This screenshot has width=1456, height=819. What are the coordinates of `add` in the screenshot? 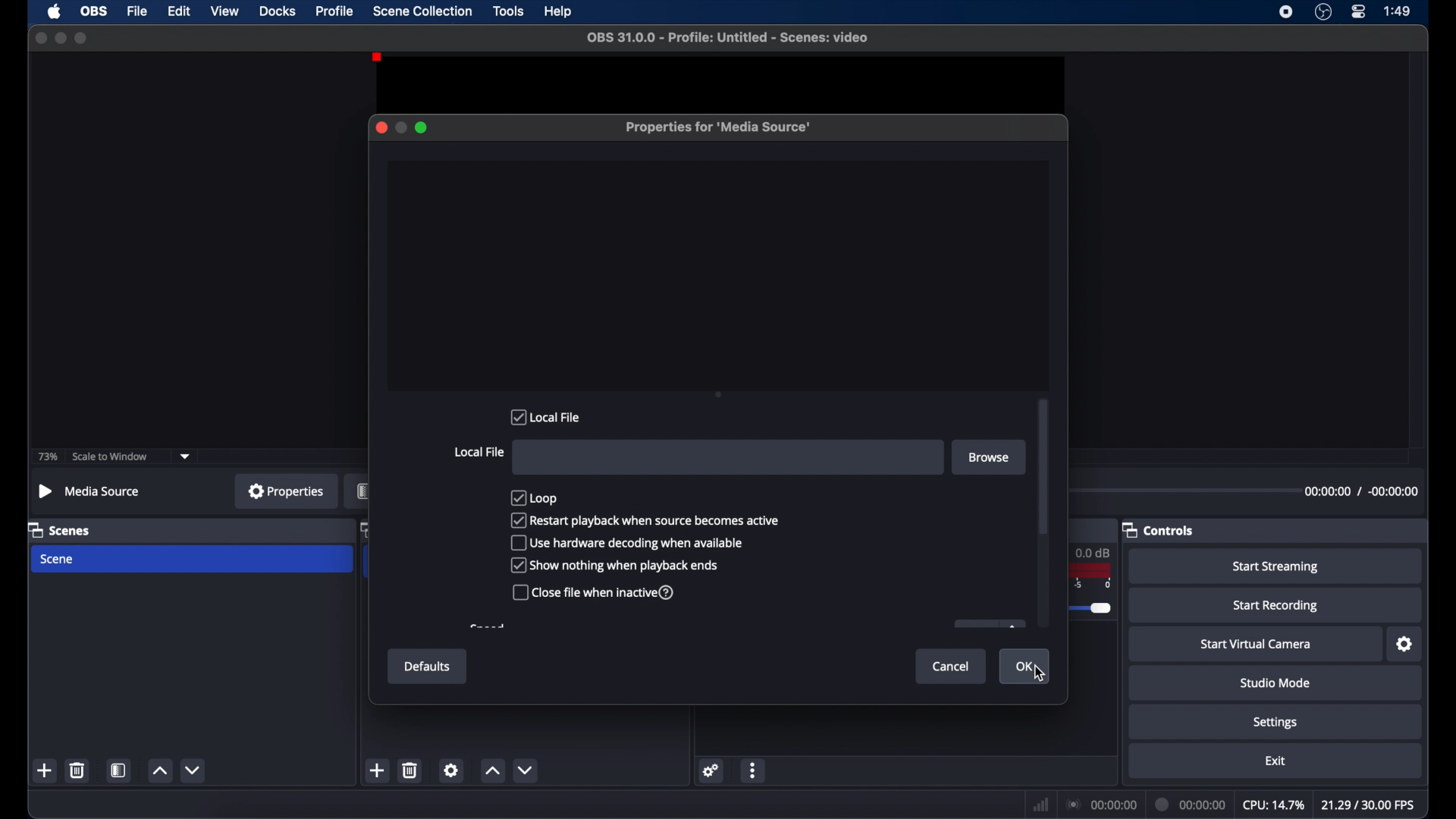 It's located at (45, 770).